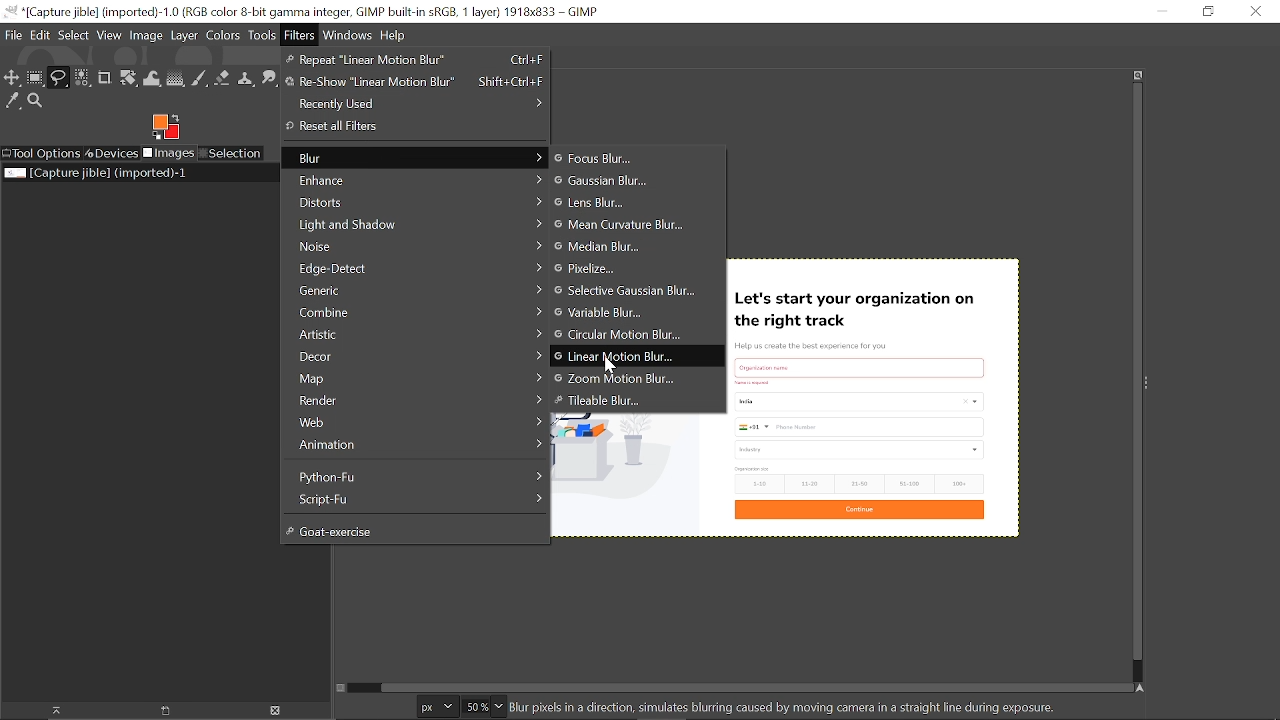  What do you see at coordinates (415, 104) in the screenshot?
I see `Recently used` at bounding box center [415, 104].